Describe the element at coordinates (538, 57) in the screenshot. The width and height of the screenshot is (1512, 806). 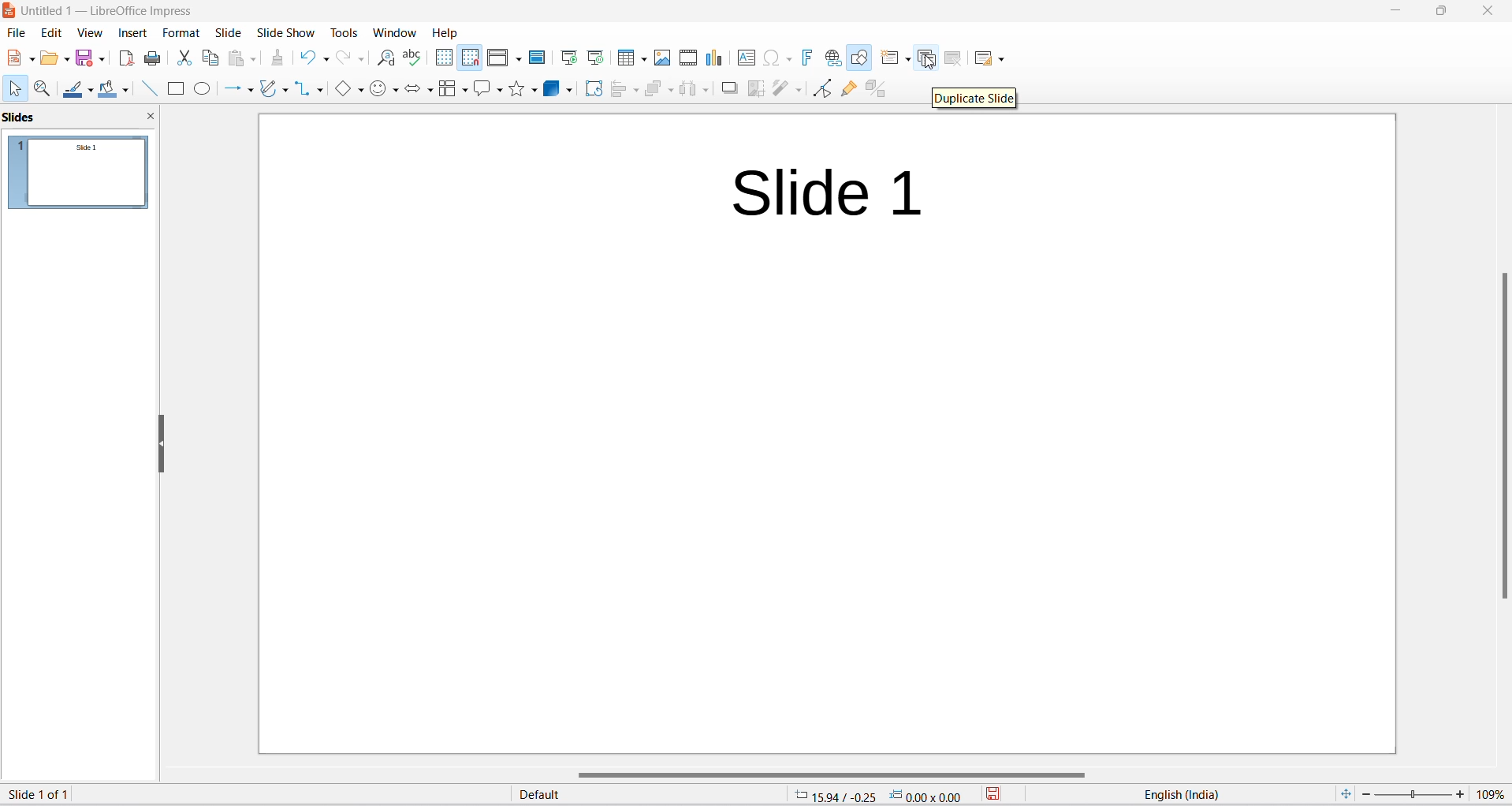
I see `master slide` at that location.